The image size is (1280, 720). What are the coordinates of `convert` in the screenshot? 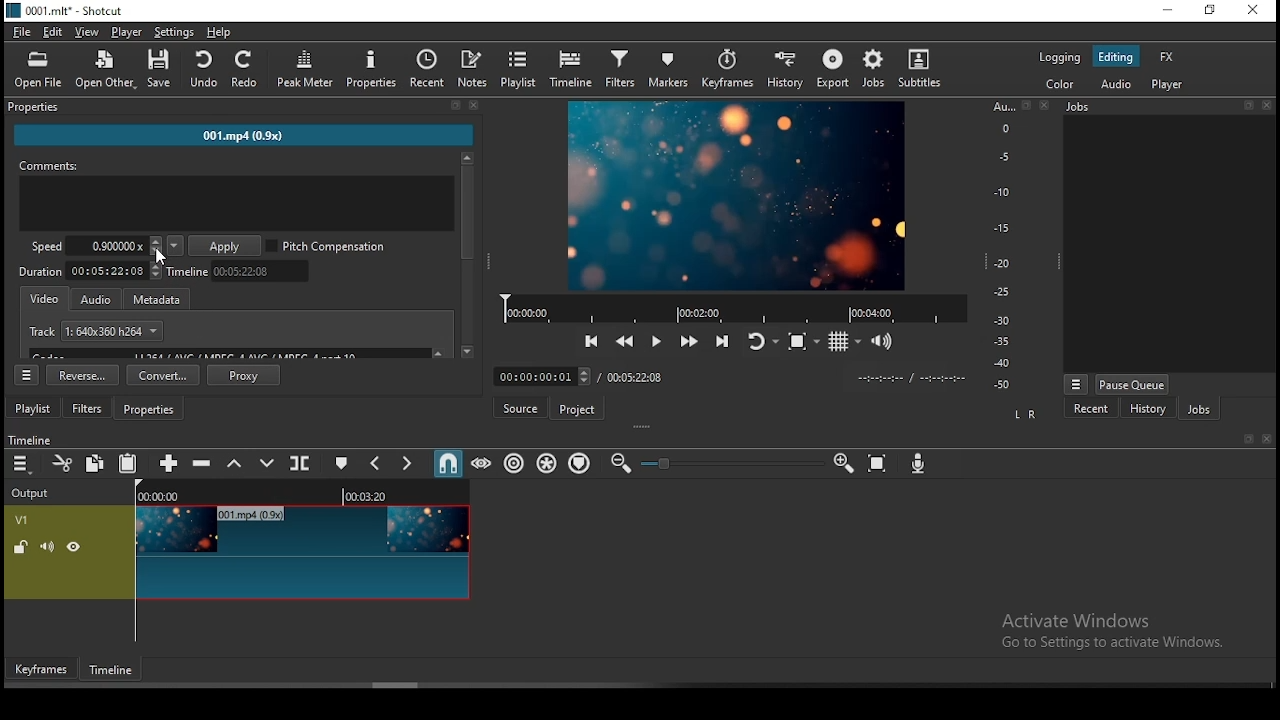 It's located at (164, 374).